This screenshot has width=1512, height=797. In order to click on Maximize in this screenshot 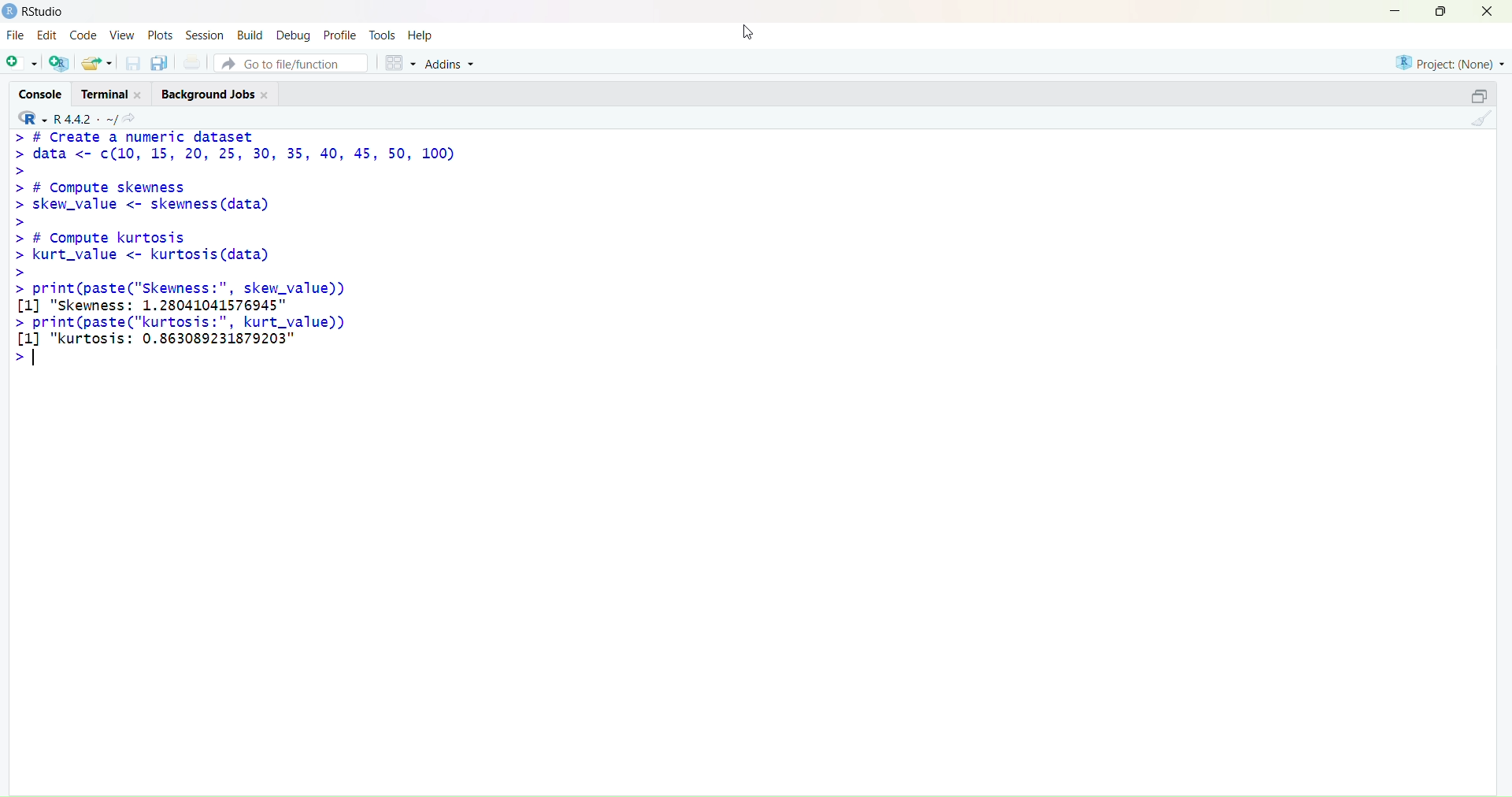, I will do `click(1440, 13)`.